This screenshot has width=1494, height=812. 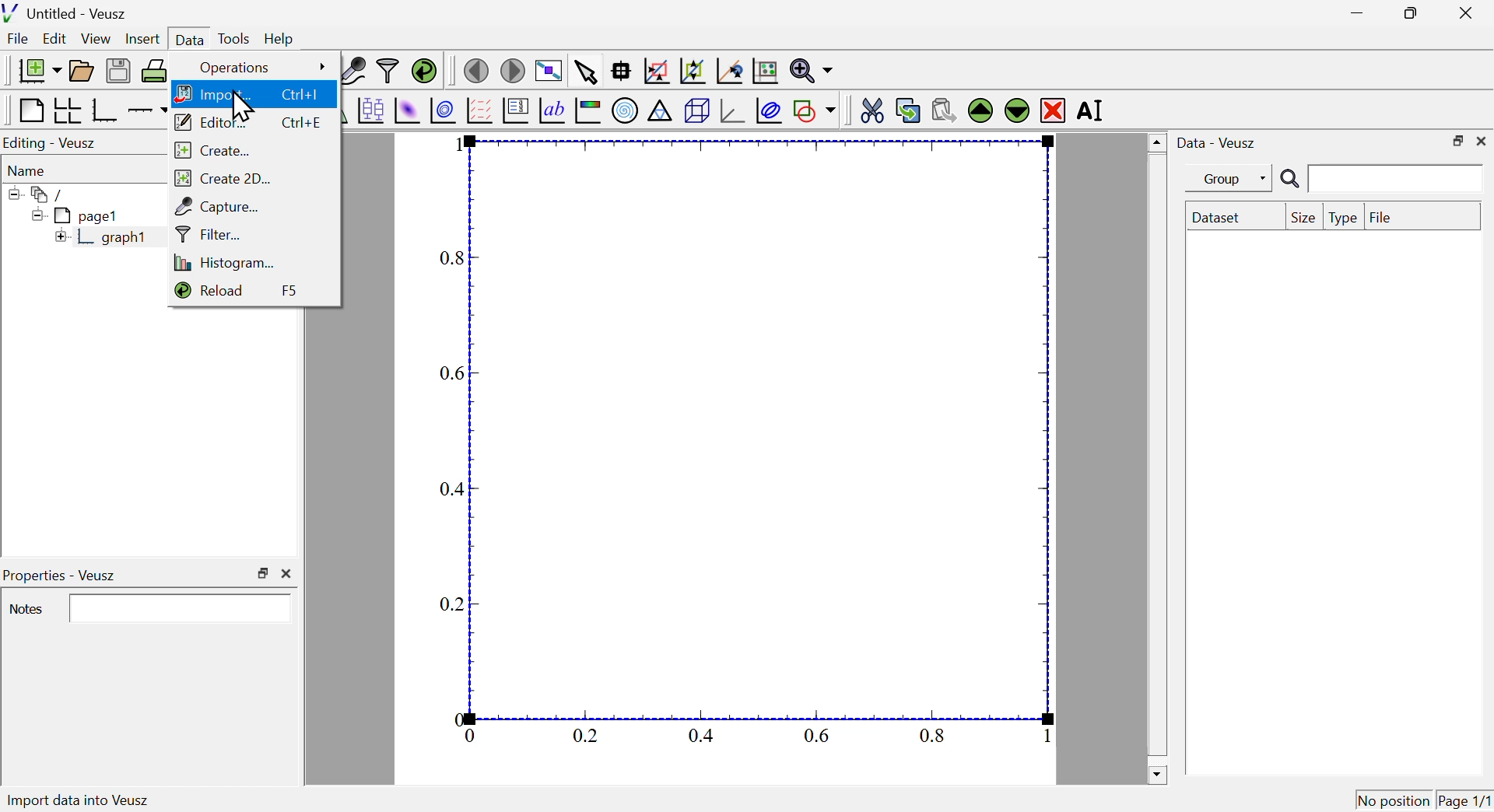 I want to click on 0.4, so click(x=701, y=736).